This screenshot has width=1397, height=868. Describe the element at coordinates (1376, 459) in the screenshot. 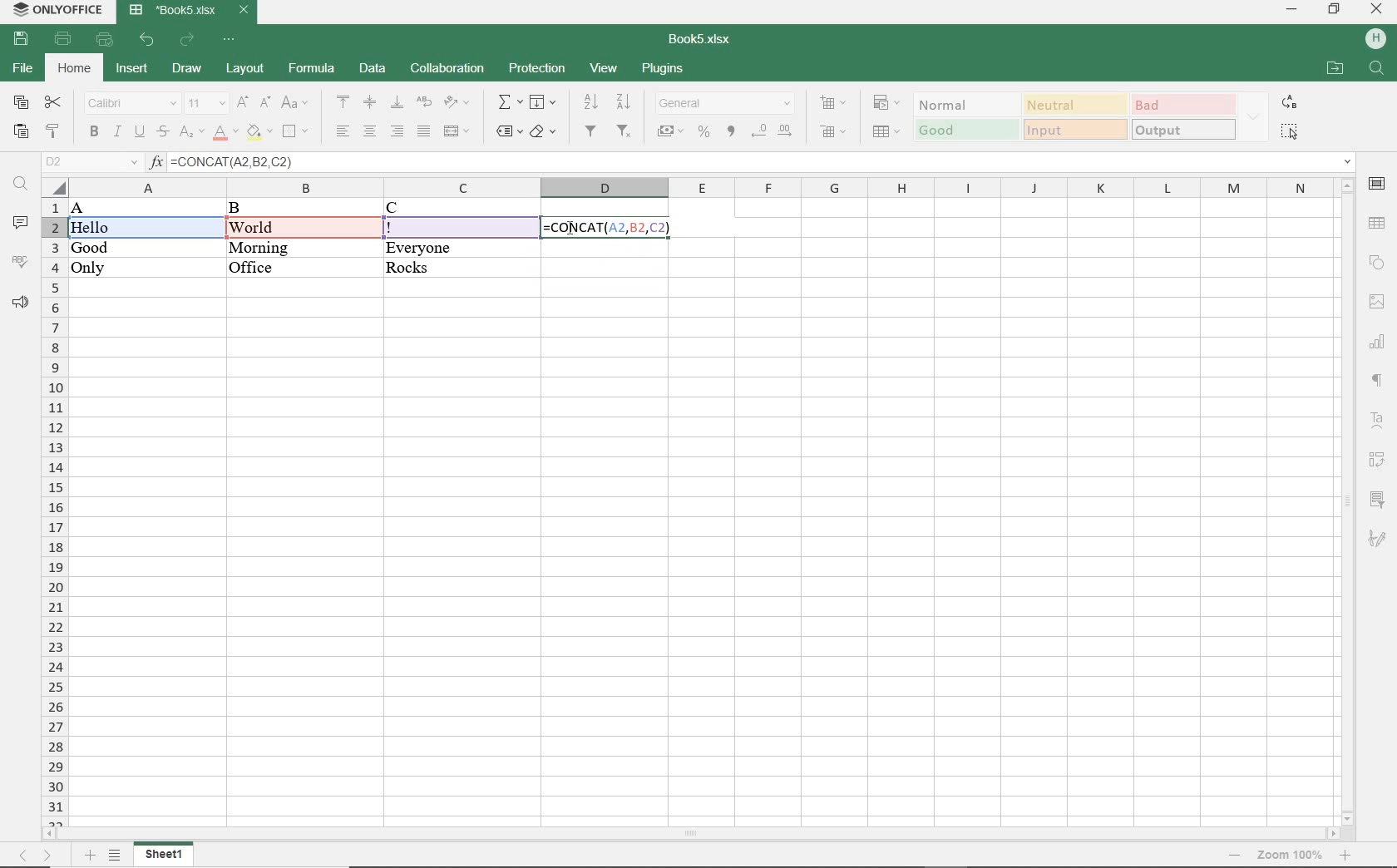

I see `PIVOT TABLE` at that location.